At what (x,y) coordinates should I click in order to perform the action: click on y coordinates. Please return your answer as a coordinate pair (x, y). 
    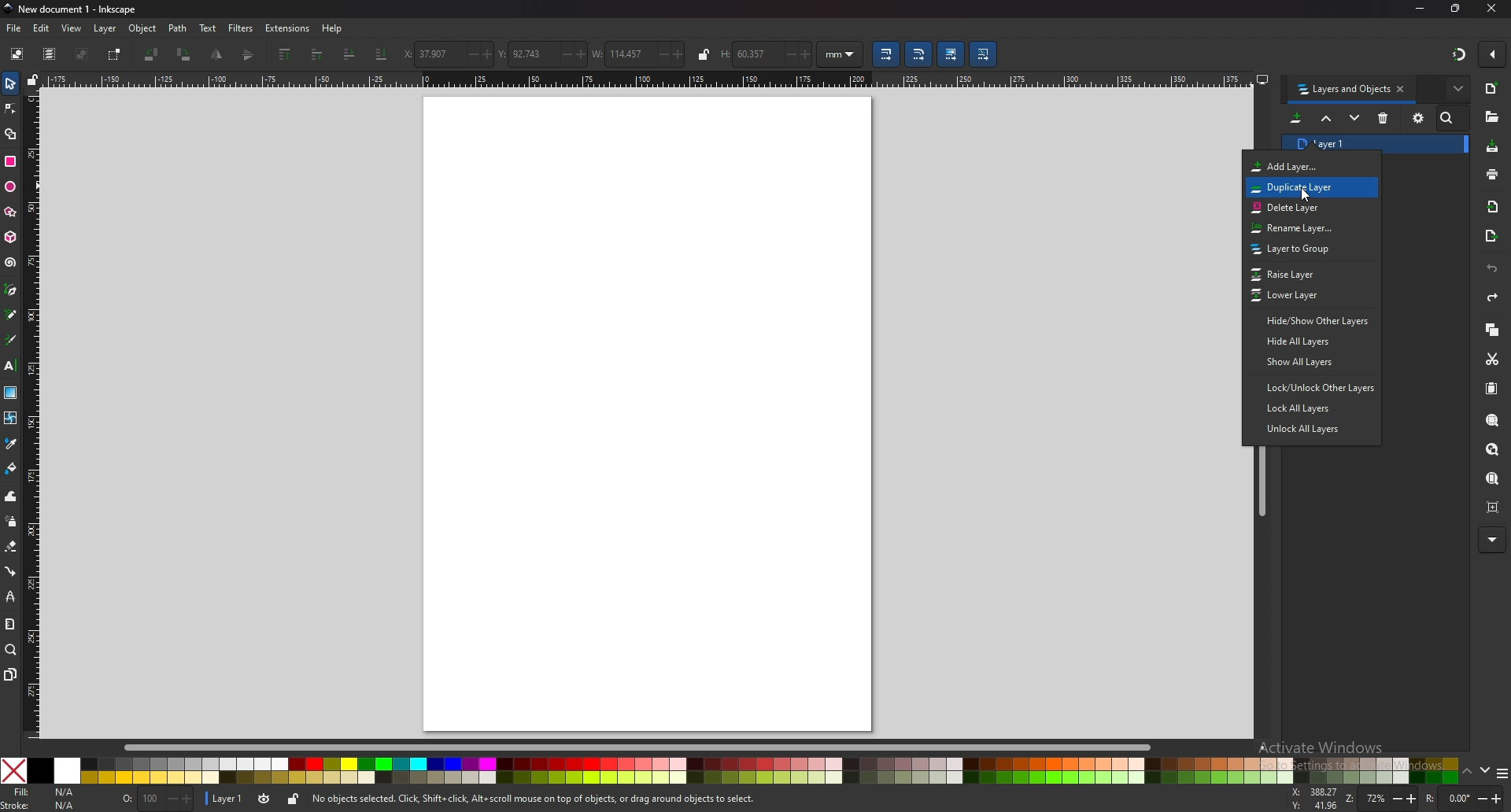
    Looking at the image, I should click on (524, 54).